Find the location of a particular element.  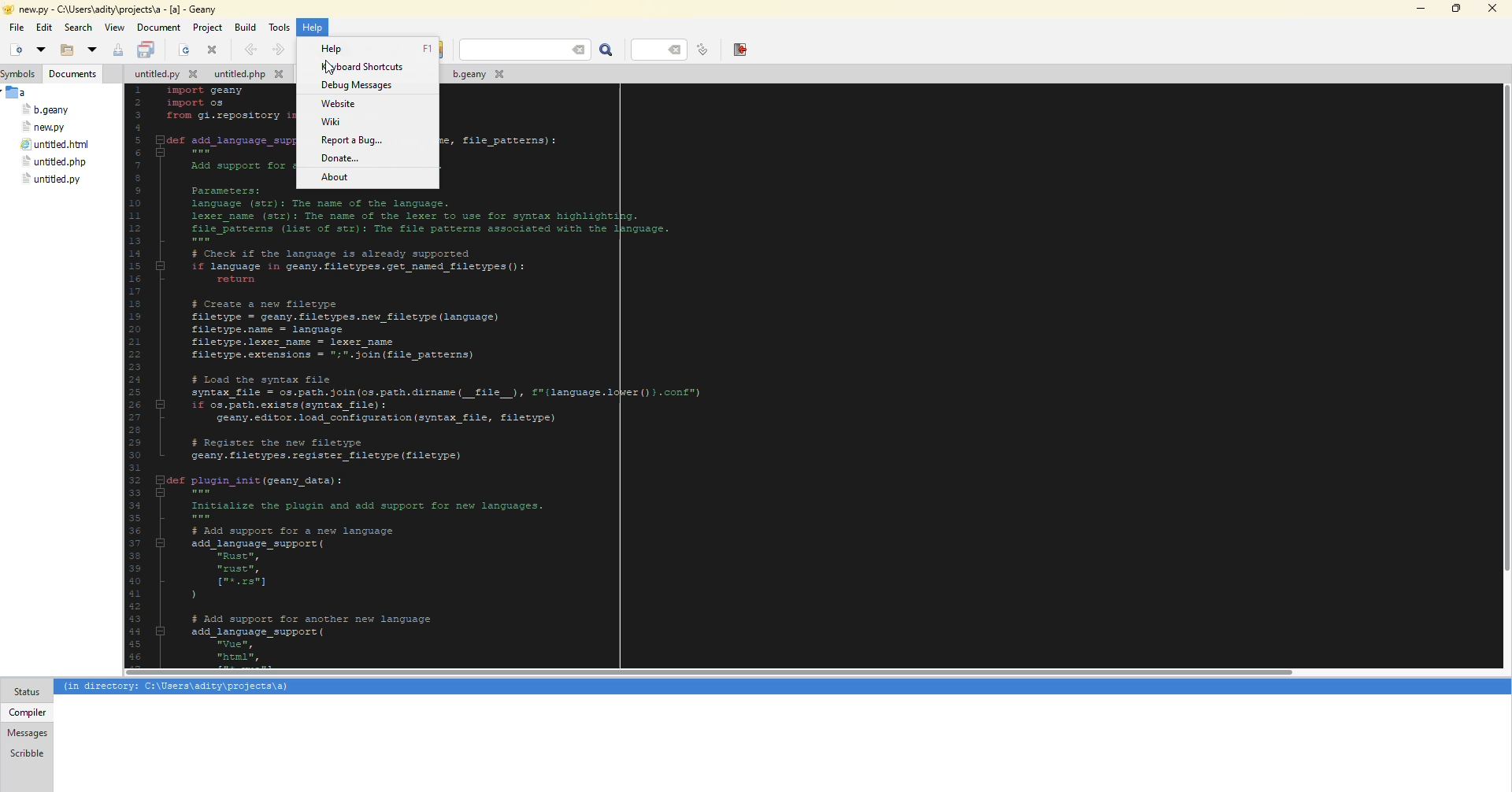

file is located at coordinates (46, 110).